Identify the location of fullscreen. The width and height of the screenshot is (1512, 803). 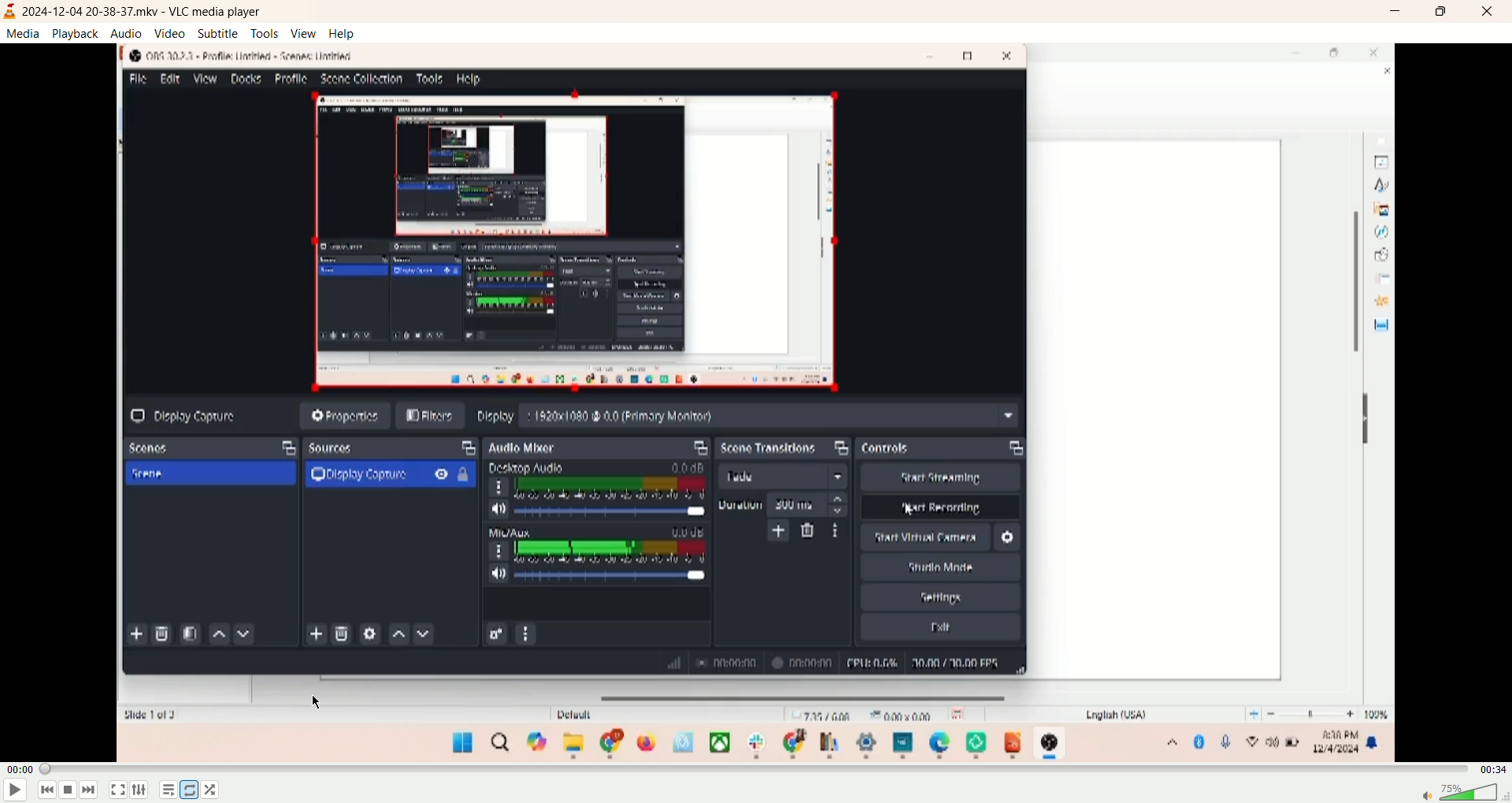
(117, 790).